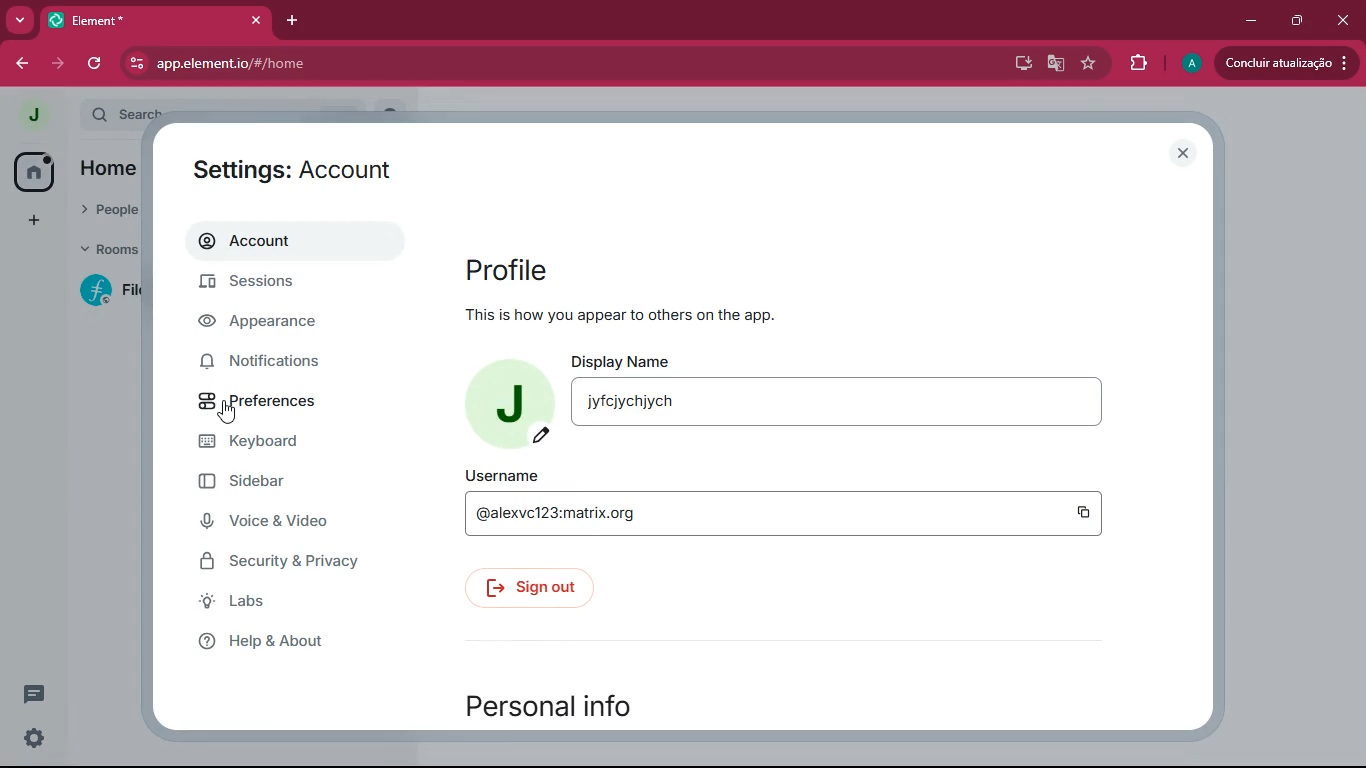  Describe the element at coordinates (318, 63) in the screenshot. I see `app.element.io/#/home` at that location.